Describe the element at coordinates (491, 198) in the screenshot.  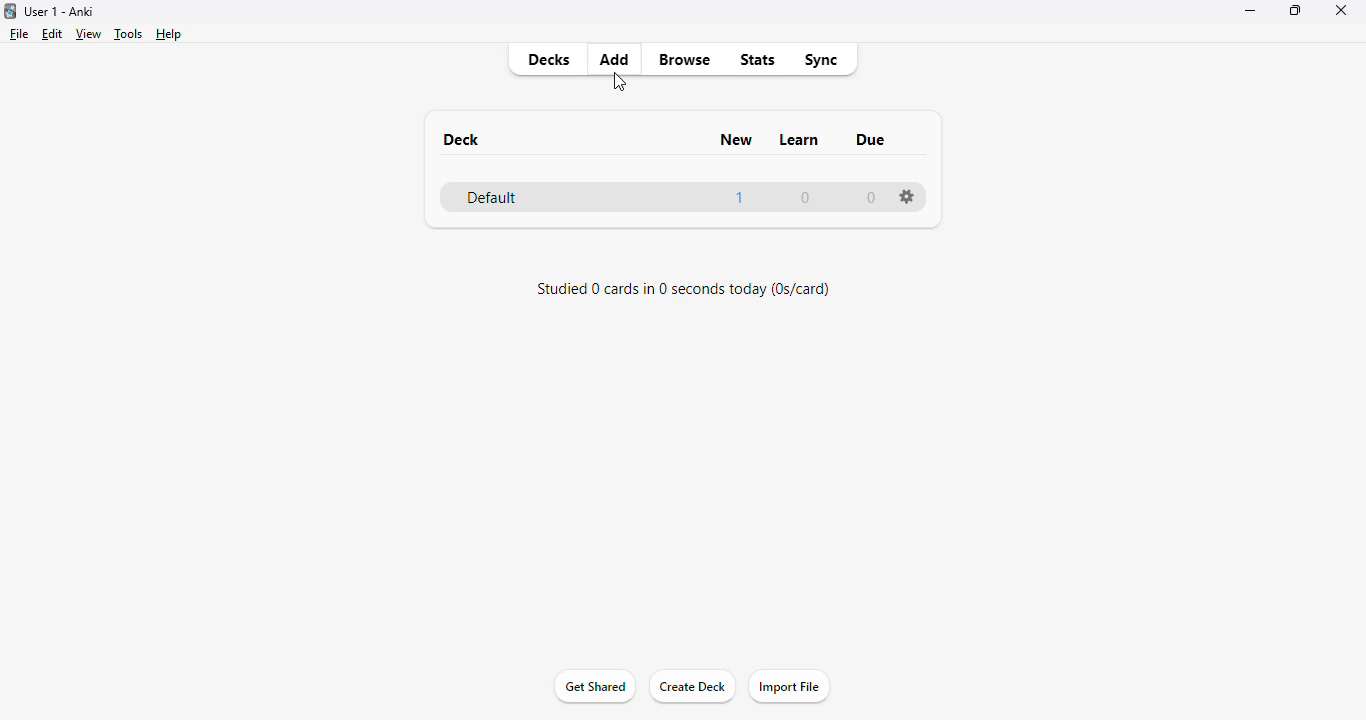
I see `default` at that location.